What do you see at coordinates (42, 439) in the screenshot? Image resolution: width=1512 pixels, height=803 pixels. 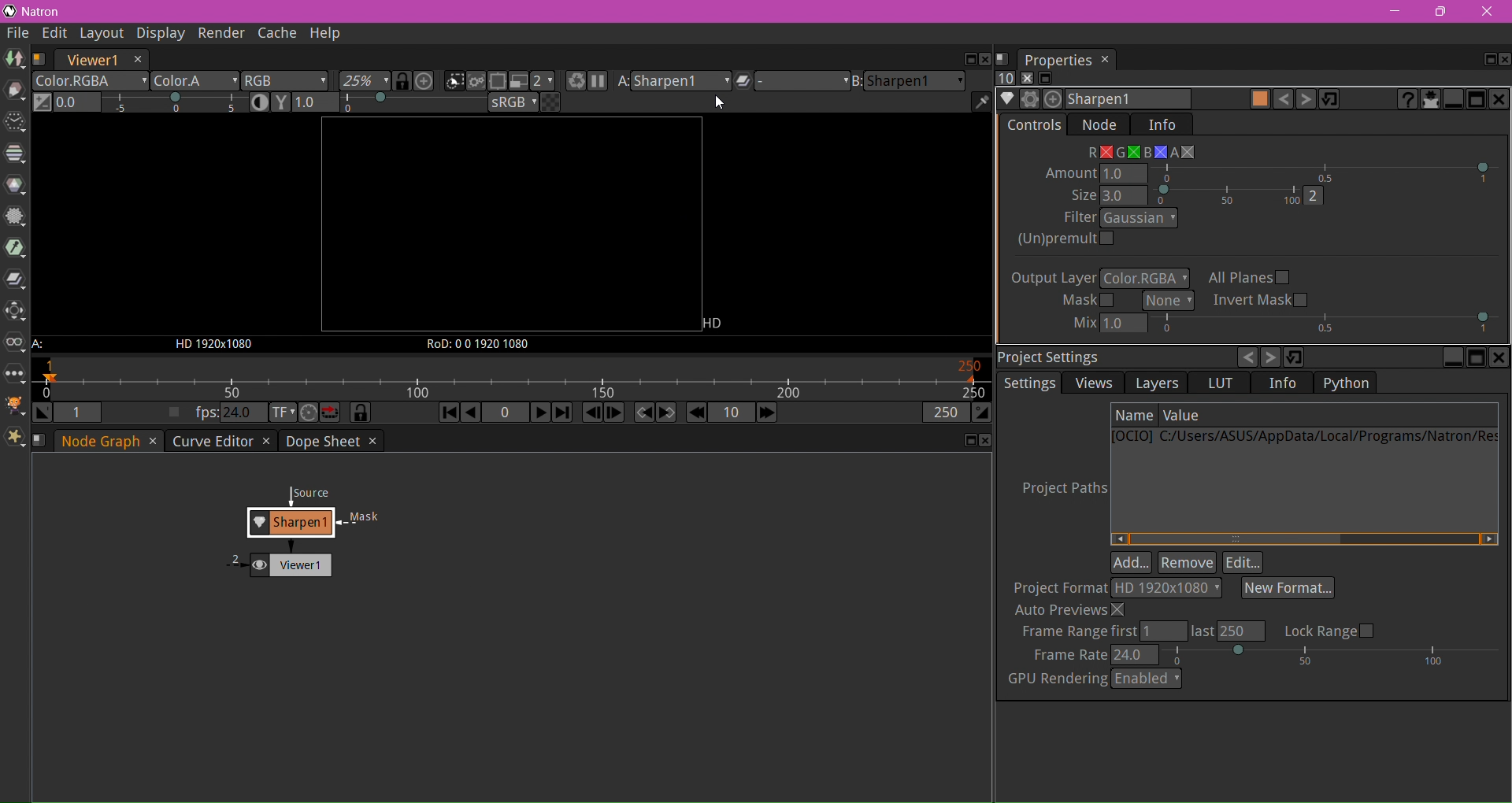 I see `Manage layouts for this pane` at bounding box center [42, 439].